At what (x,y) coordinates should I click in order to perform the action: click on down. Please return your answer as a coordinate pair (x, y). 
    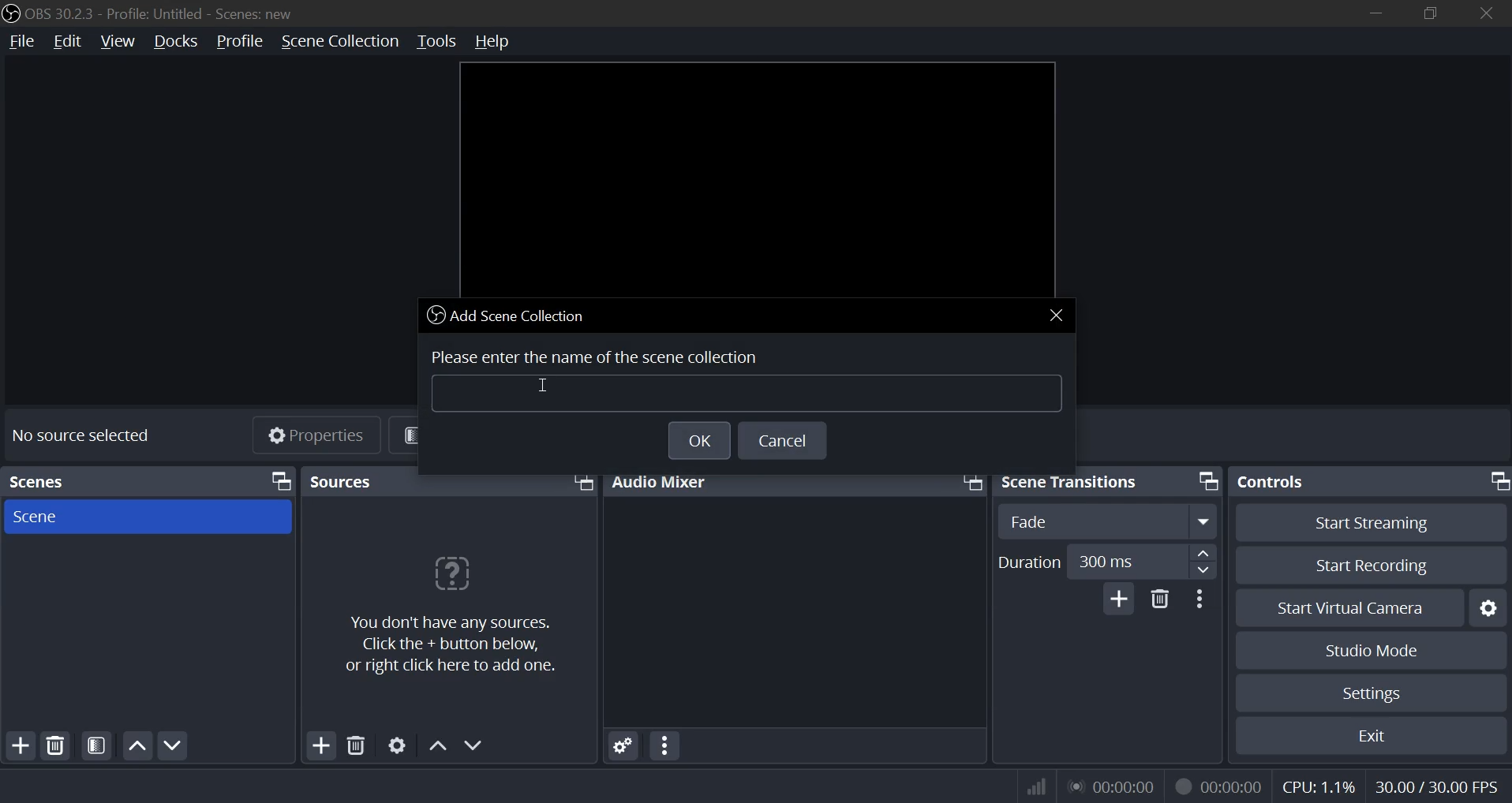
    Looking at the image, I should click on (1201, 570).